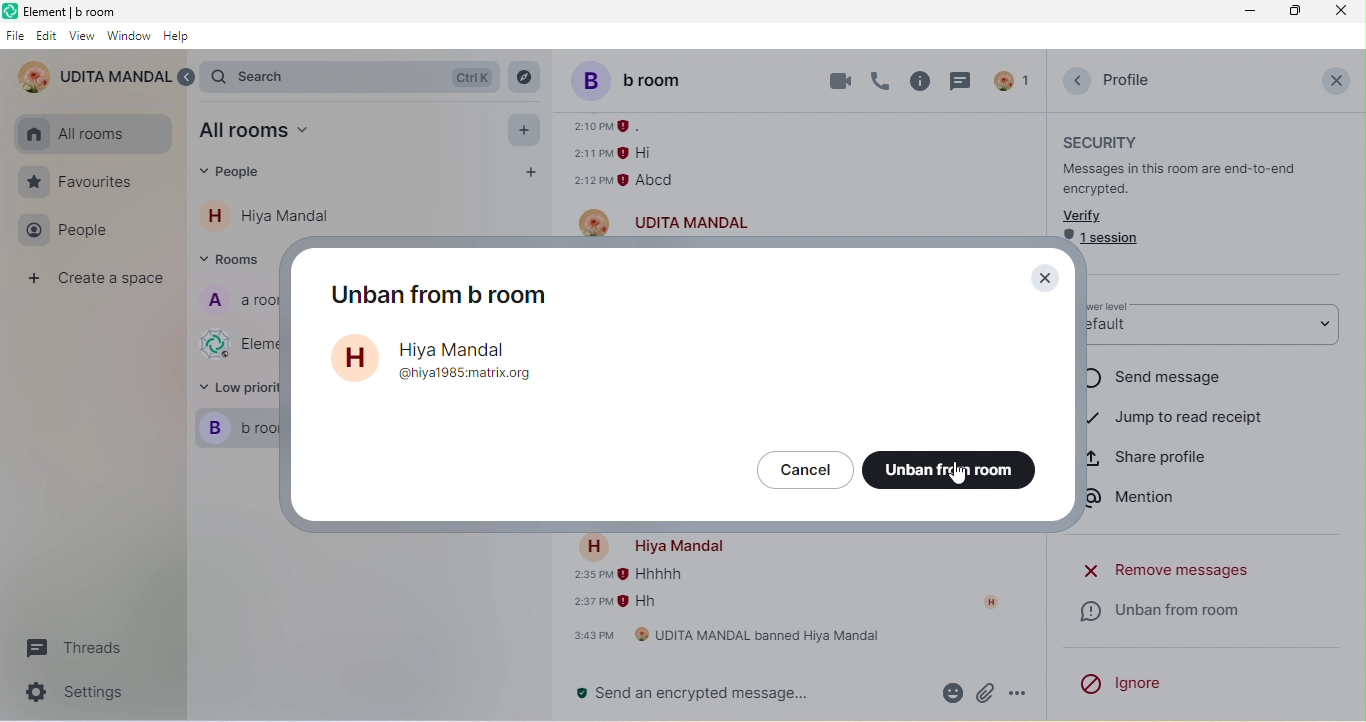  I want to click on messages in this room are end to end encrypted, so click(1191, 179).